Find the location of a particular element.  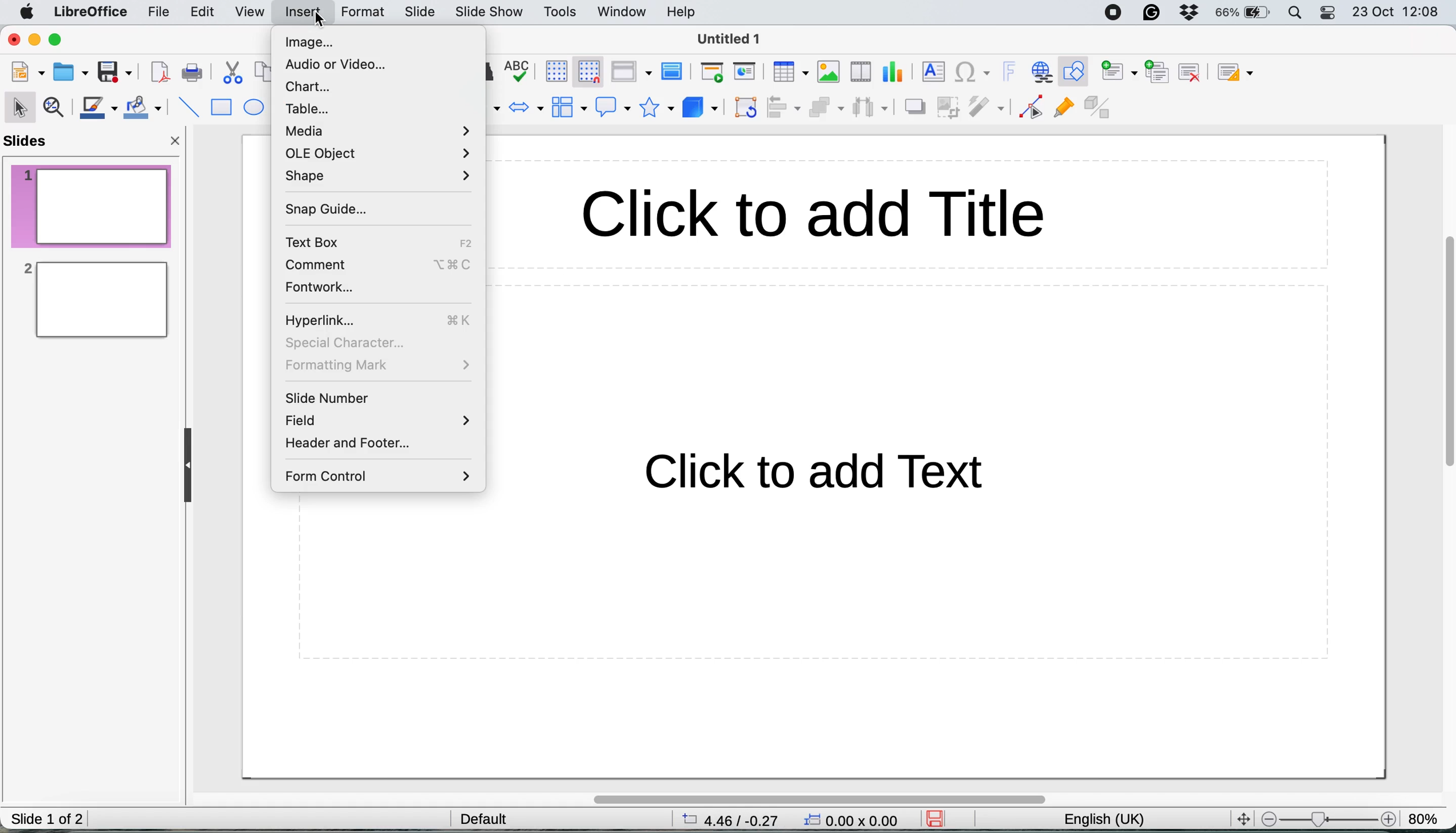

slide 1 of 2 is located at coordinates (47, 820).